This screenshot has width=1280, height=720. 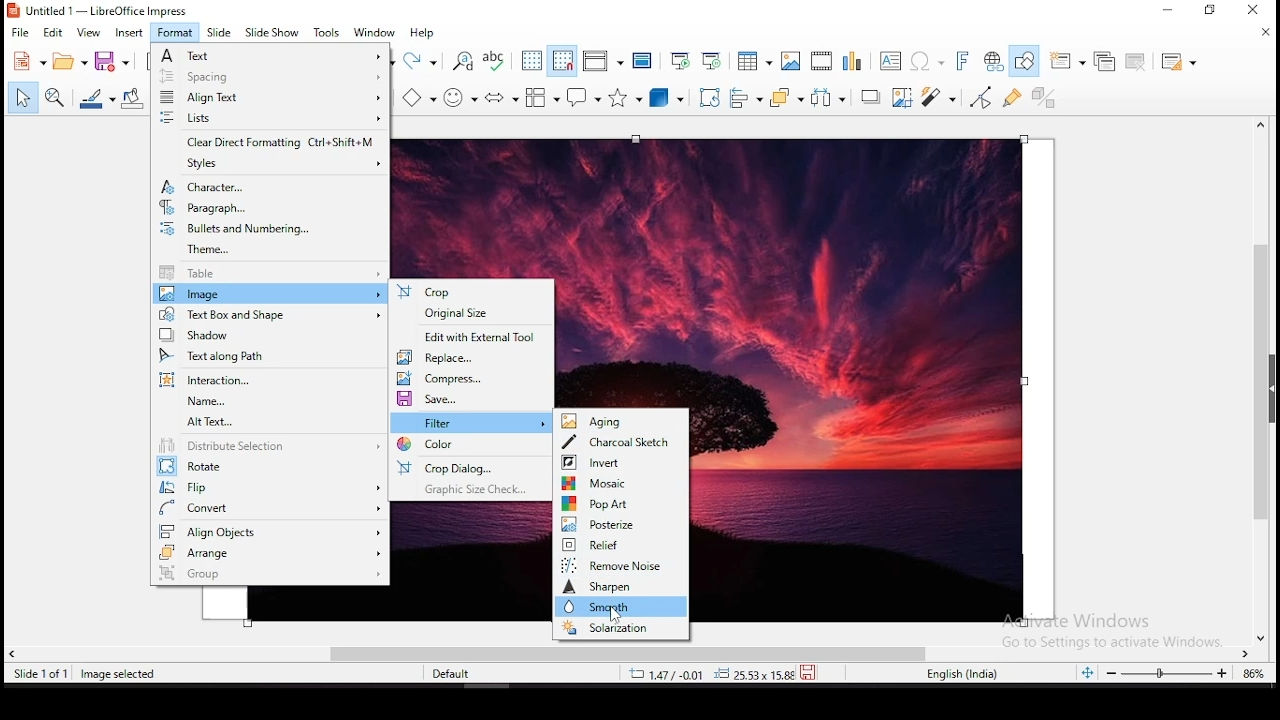 What do you see at coordinates (473, 422) in the screenshot?
I see `filter` at bounding box center [473, 422].